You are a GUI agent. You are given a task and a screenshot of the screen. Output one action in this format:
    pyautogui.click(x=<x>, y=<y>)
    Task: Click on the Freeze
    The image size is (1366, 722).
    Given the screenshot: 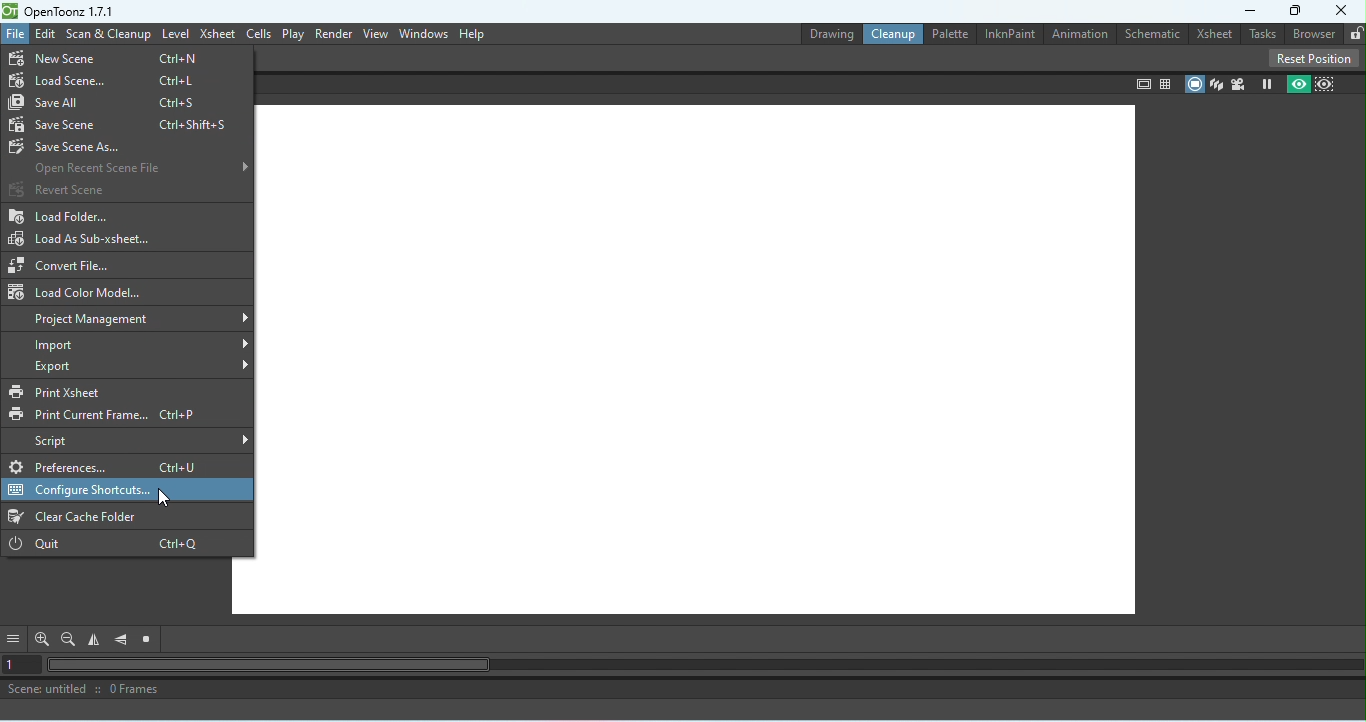 What is the action you would take?
    pyautogui.click(x=1263, y=85)
    